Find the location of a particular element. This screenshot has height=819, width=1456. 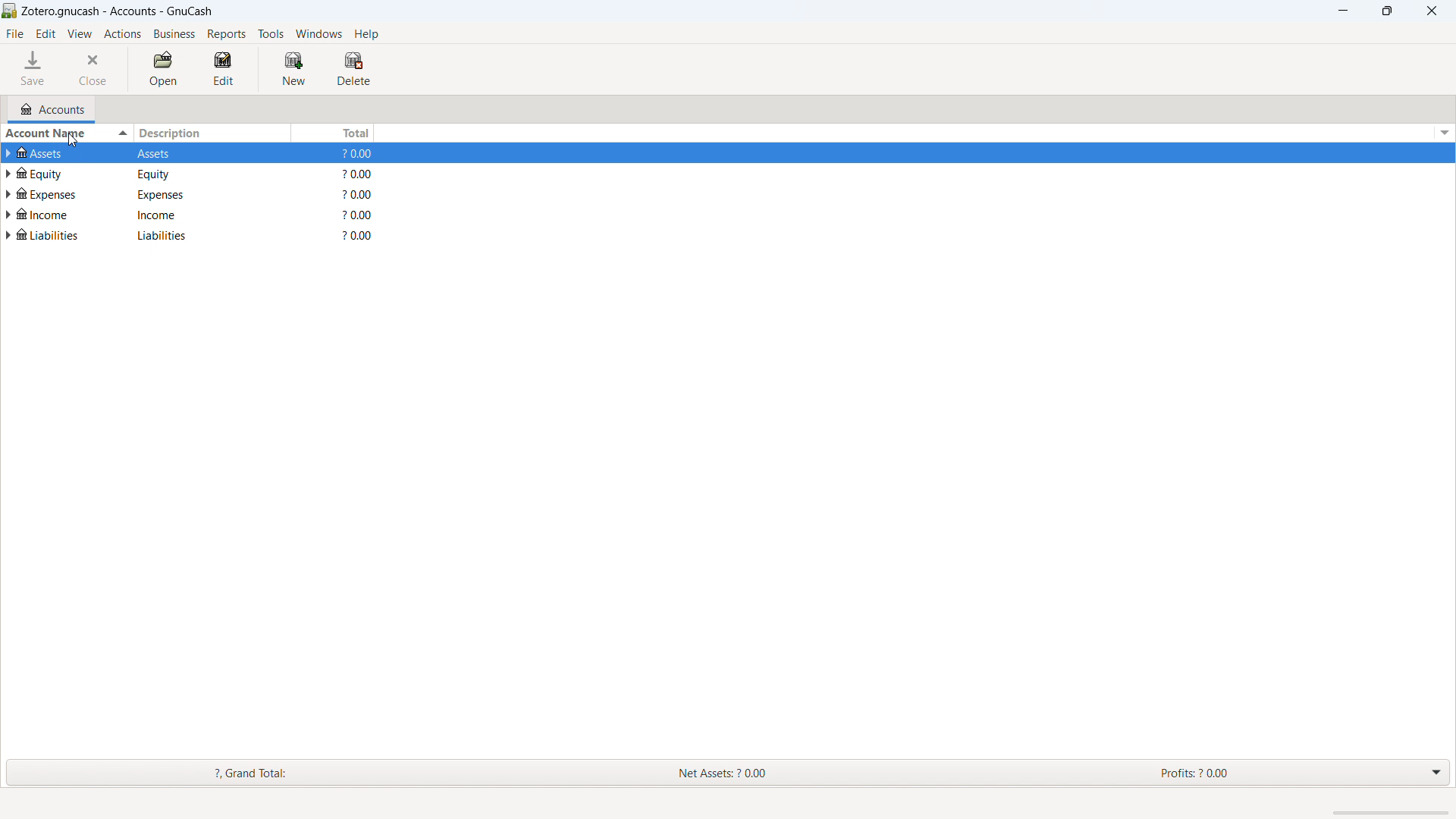

account details of expenses is located at coordinates (206, 196).